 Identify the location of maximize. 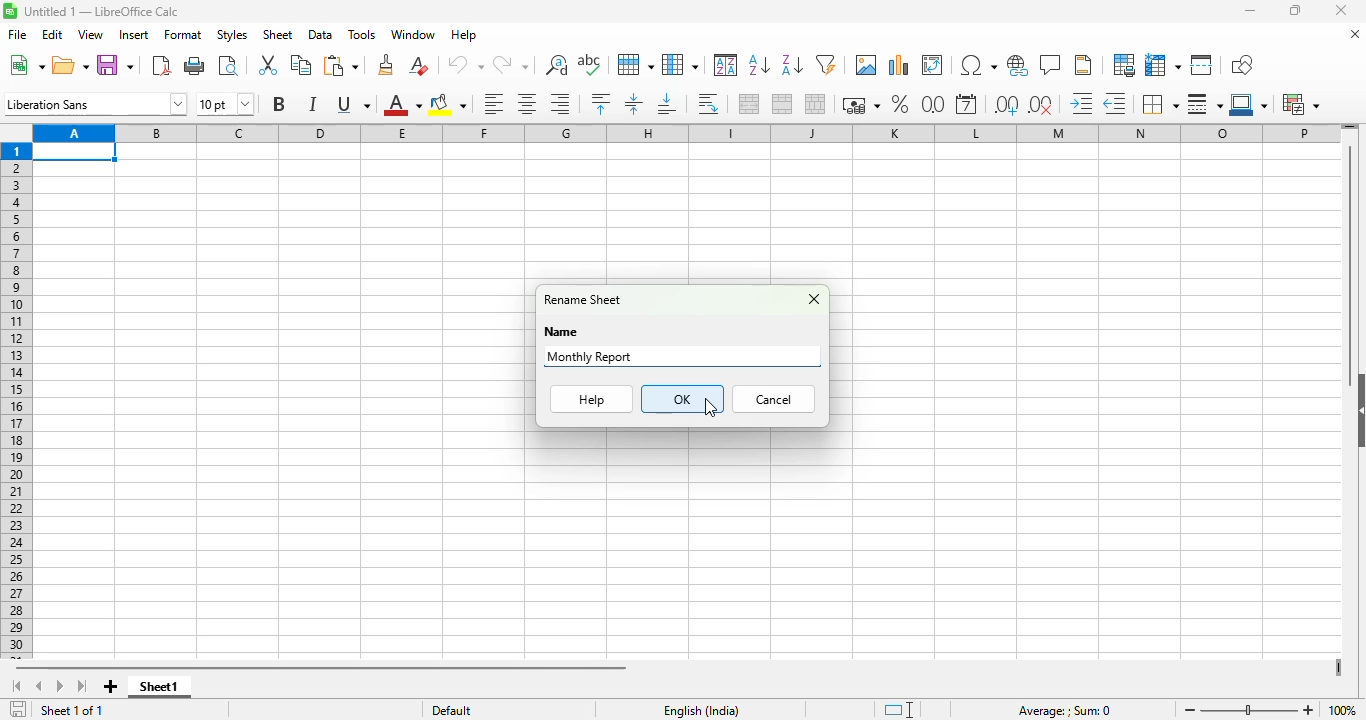
(1294, 10).